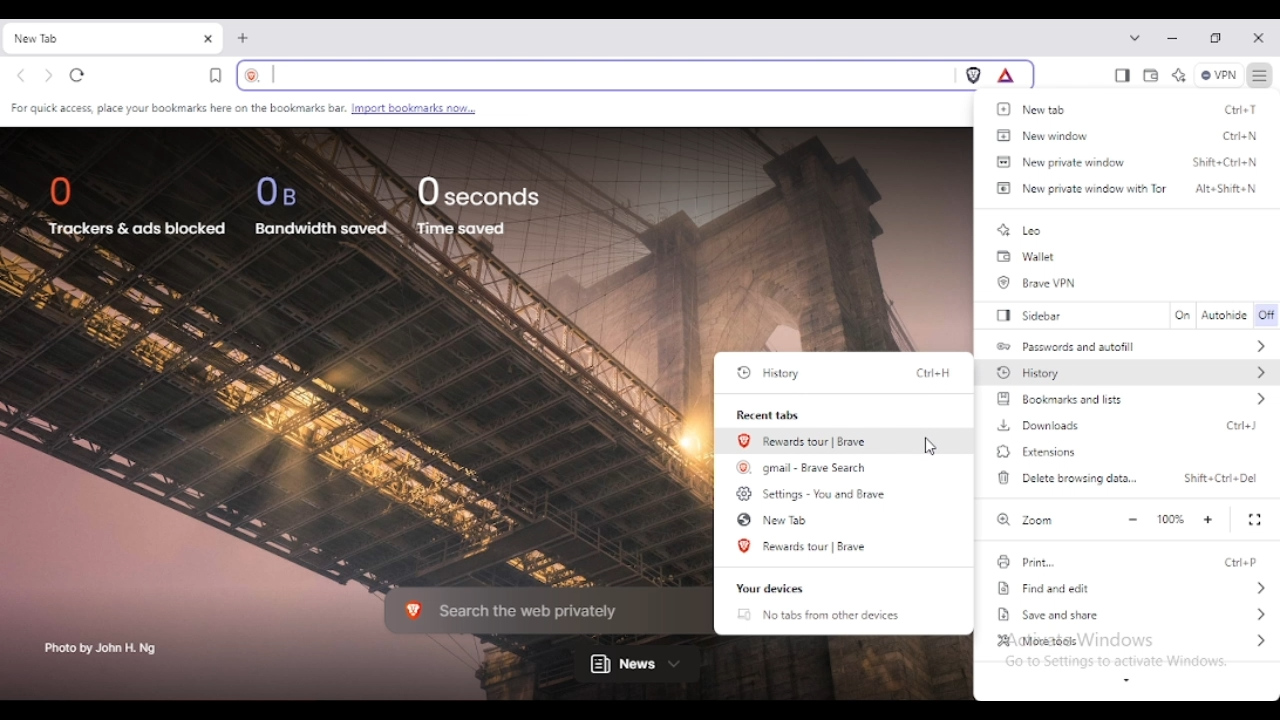 Image resolution: width=1280 pixels, height=720 pixels. Describe the element at coordinates (1221, 478) in the screenshot. I see `shortcut for delete browsing data` at that location.